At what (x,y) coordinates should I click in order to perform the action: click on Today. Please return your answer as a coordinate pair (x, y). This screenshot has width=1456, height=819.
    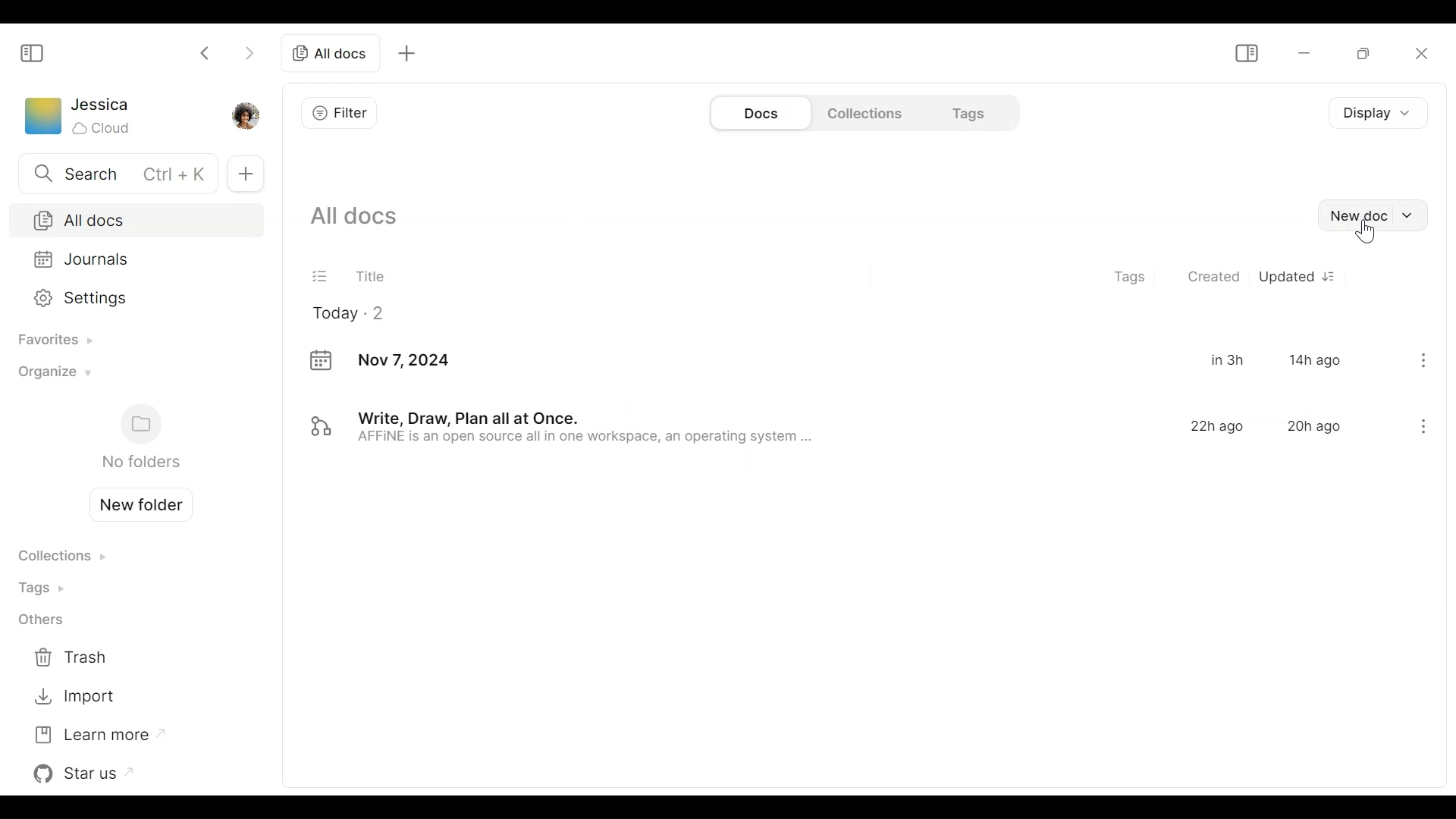
    Looking at the image, I should click on (356, 311).